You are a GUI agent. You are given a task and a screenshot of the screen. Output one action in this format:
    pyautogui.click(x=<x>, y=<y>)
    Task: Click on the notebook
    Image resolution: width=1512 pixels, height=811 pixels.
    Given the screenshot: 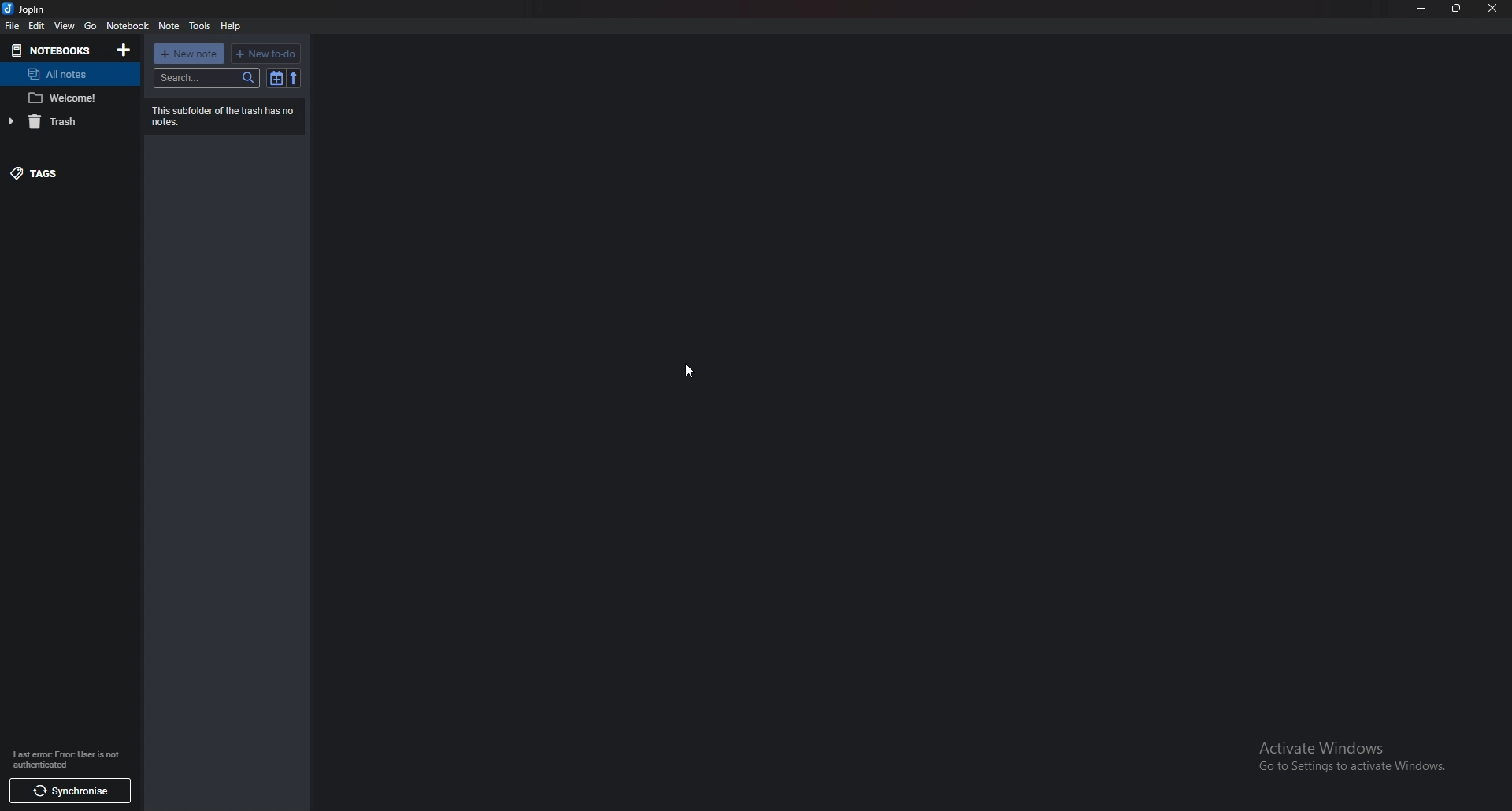 What is the action you would take?
    pyautogui.click(x=129, y=25)
    